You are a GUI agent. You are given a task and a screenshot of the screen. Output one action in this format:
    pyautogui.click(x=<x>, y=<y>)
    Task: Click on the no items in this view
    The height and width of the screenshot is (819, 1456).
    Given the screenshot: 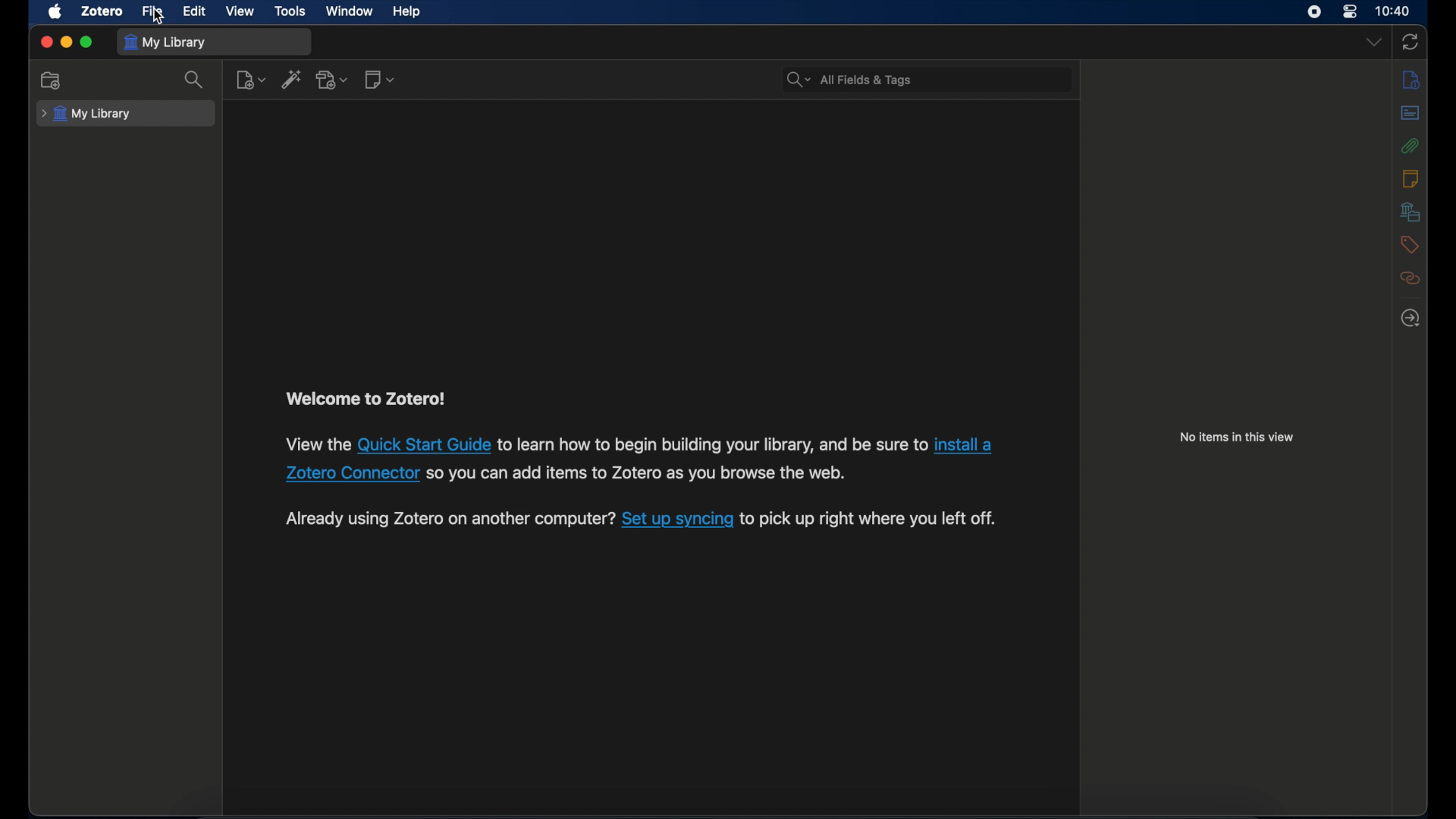 What is the action you would take?
    pyautogui.click(x=1237, y=437)
    